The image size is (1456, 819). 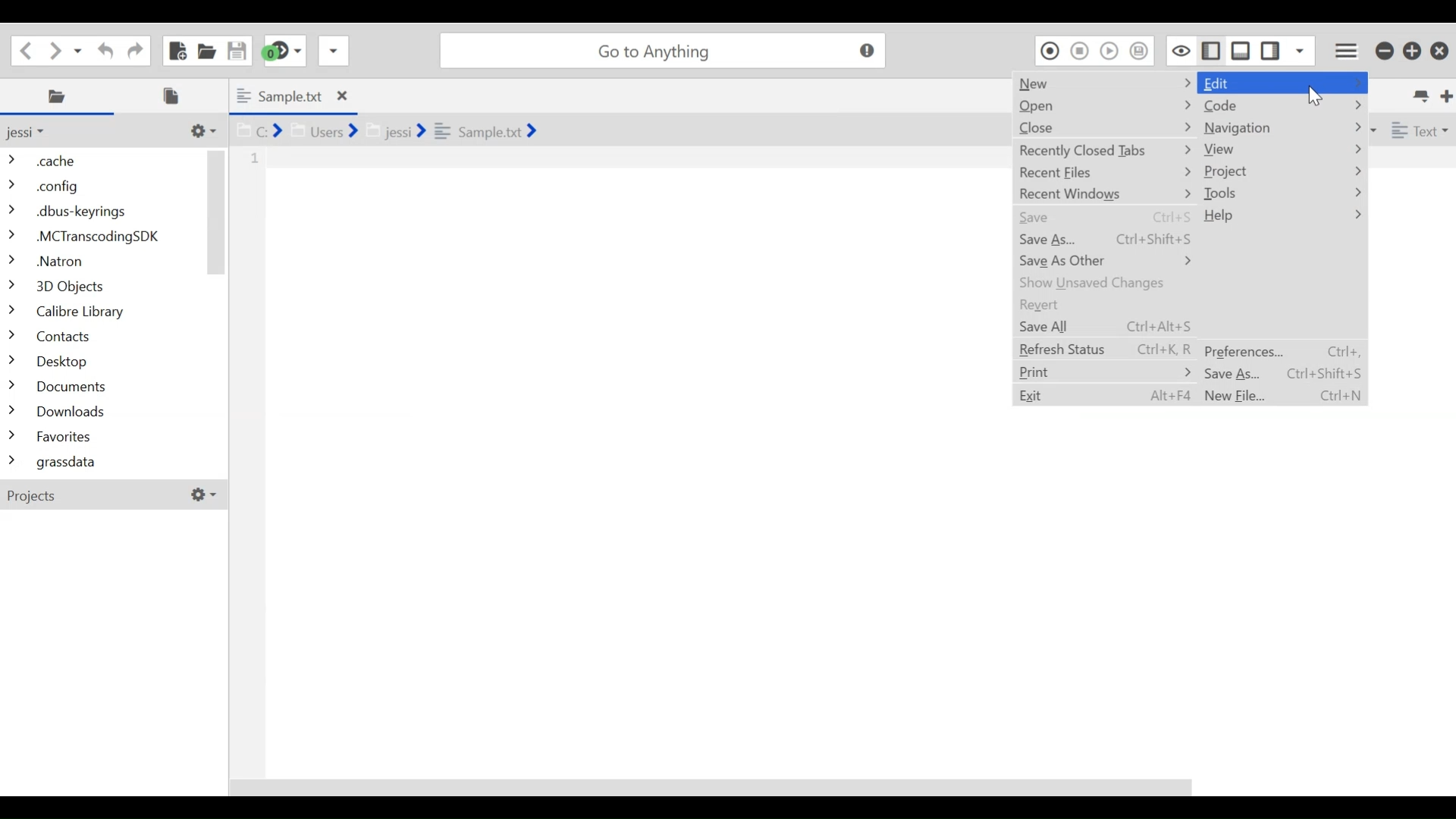 What do you see at coordinates (206, 49) in the screenshot?
I see `Open file` at bounding box center [206, 49].